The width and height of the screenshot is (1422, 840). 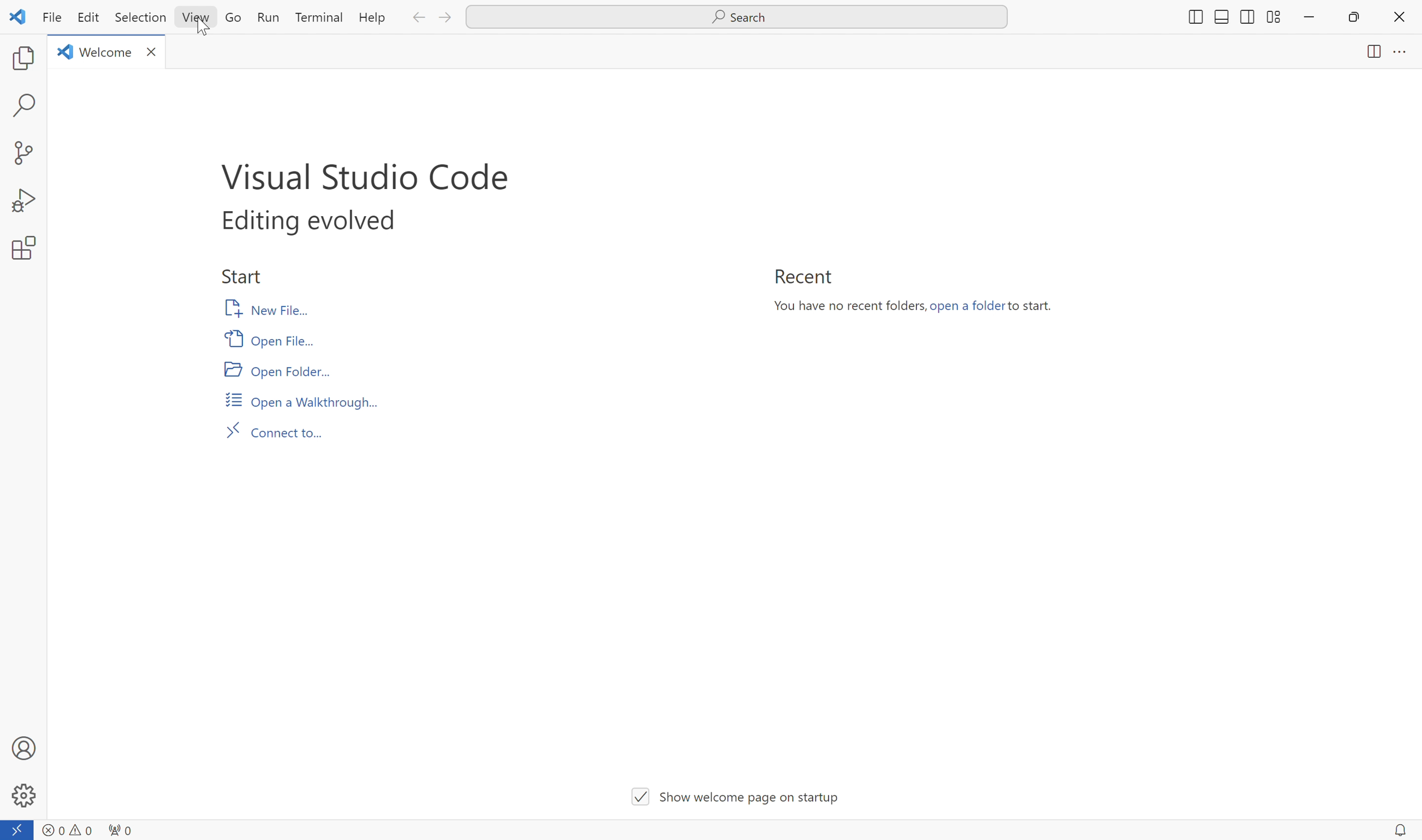 I want to click on show welcome page on startup, so click(x=731, y=800).